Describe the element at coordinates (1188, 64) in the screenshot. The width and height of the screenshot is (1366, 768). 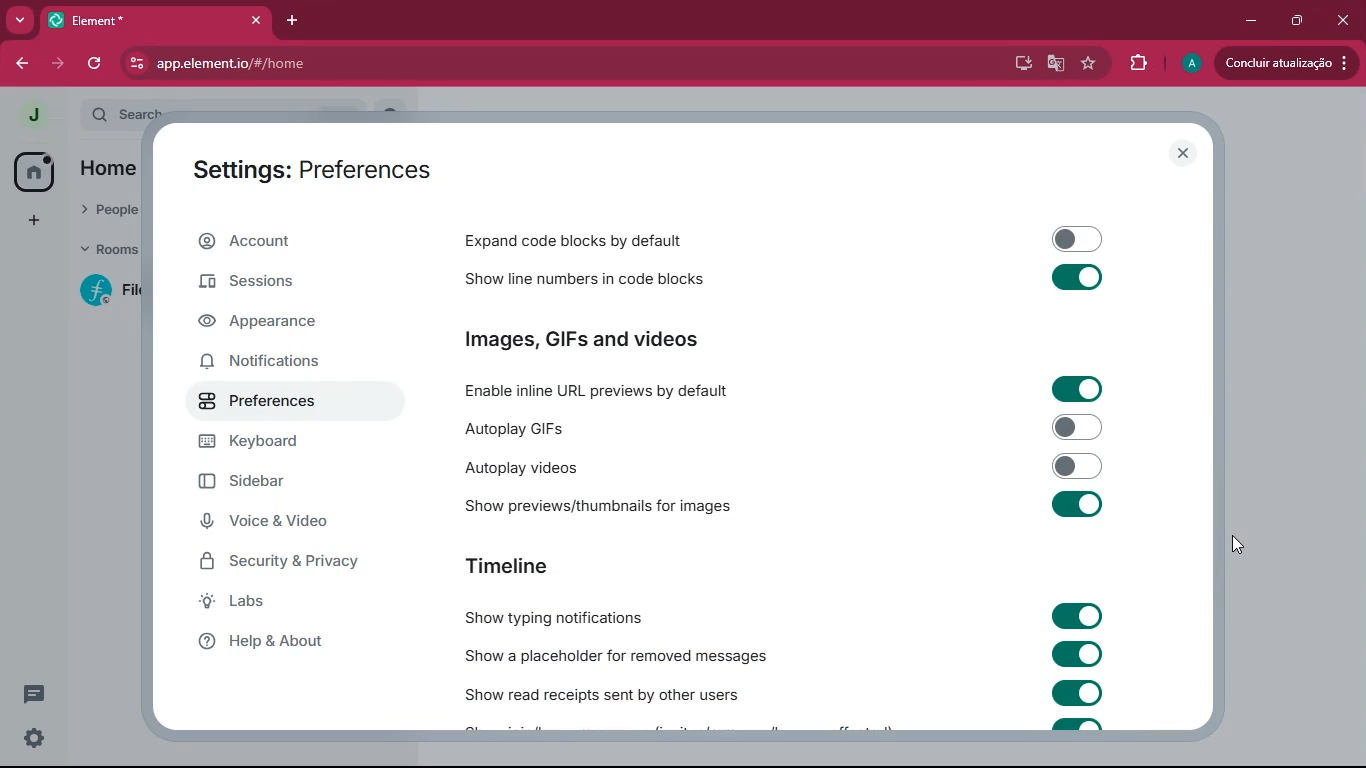
I see `profile` at that location.